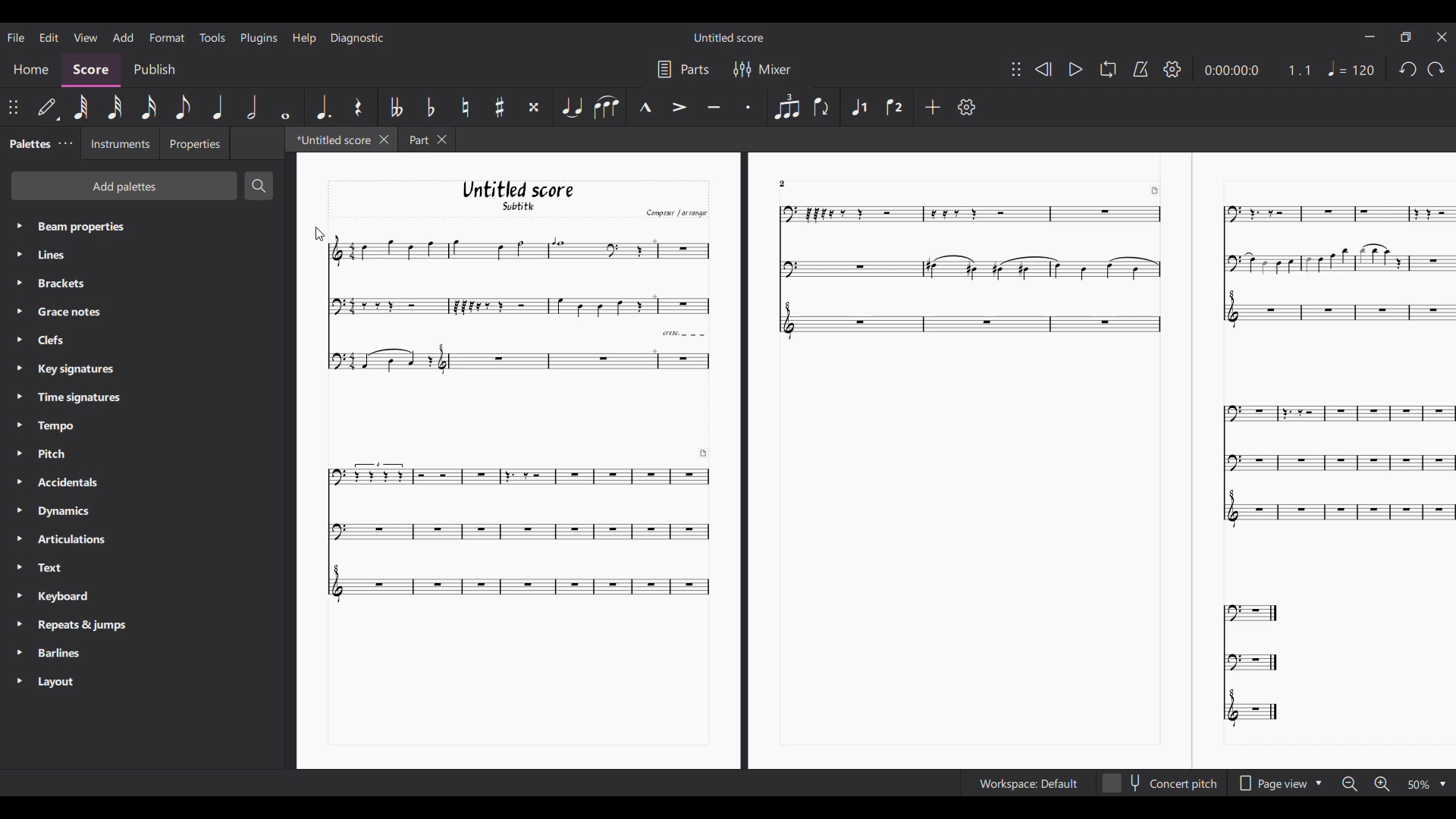 This screenshot has width=1456, height=819. What do you see at coordinates (322, 107) in the screenshot?
I see `Augmentation dot` at bounding box center [322, 107].